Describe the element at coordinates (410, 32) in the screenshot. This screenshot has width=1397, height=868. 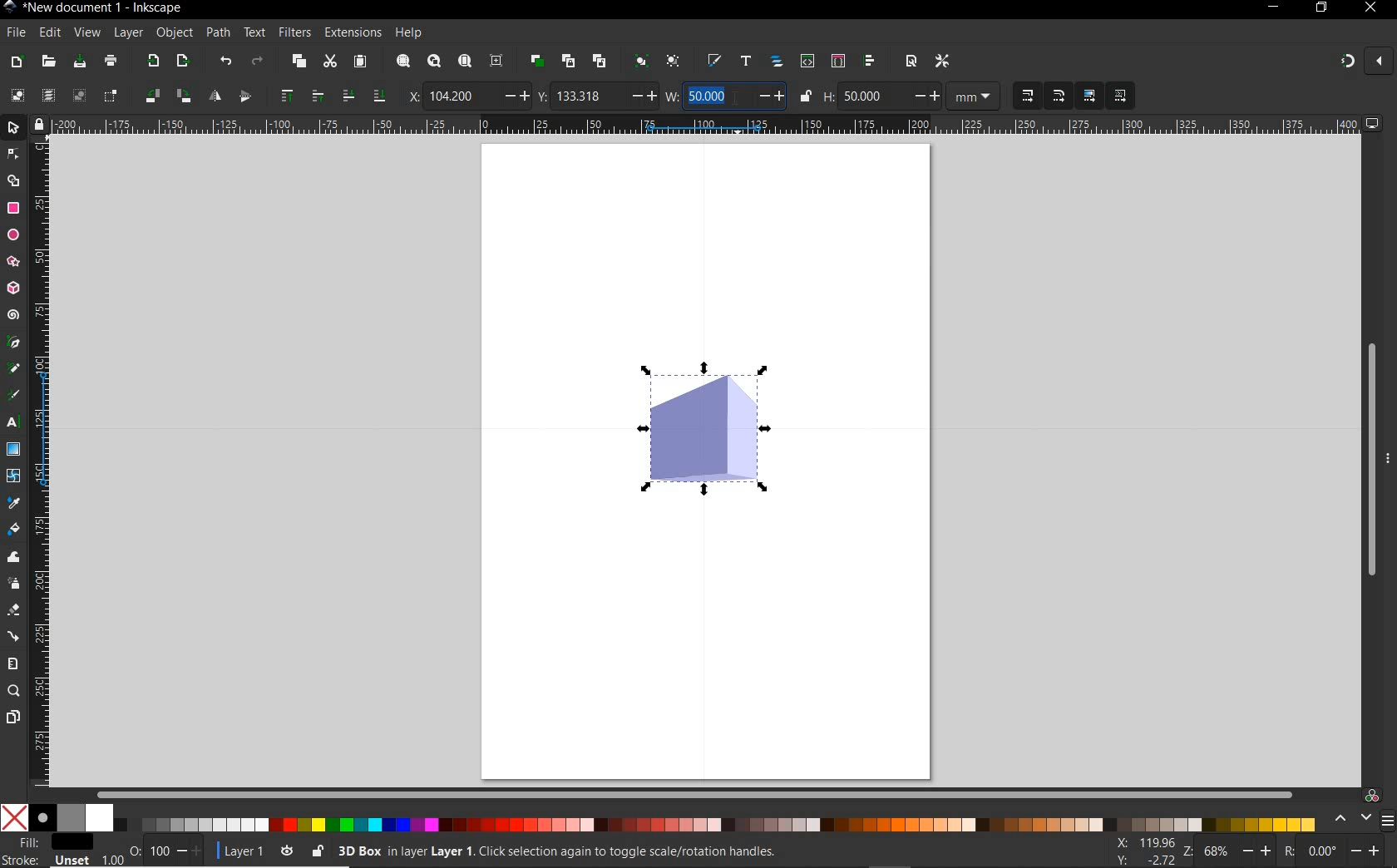
I see `help` at that location.